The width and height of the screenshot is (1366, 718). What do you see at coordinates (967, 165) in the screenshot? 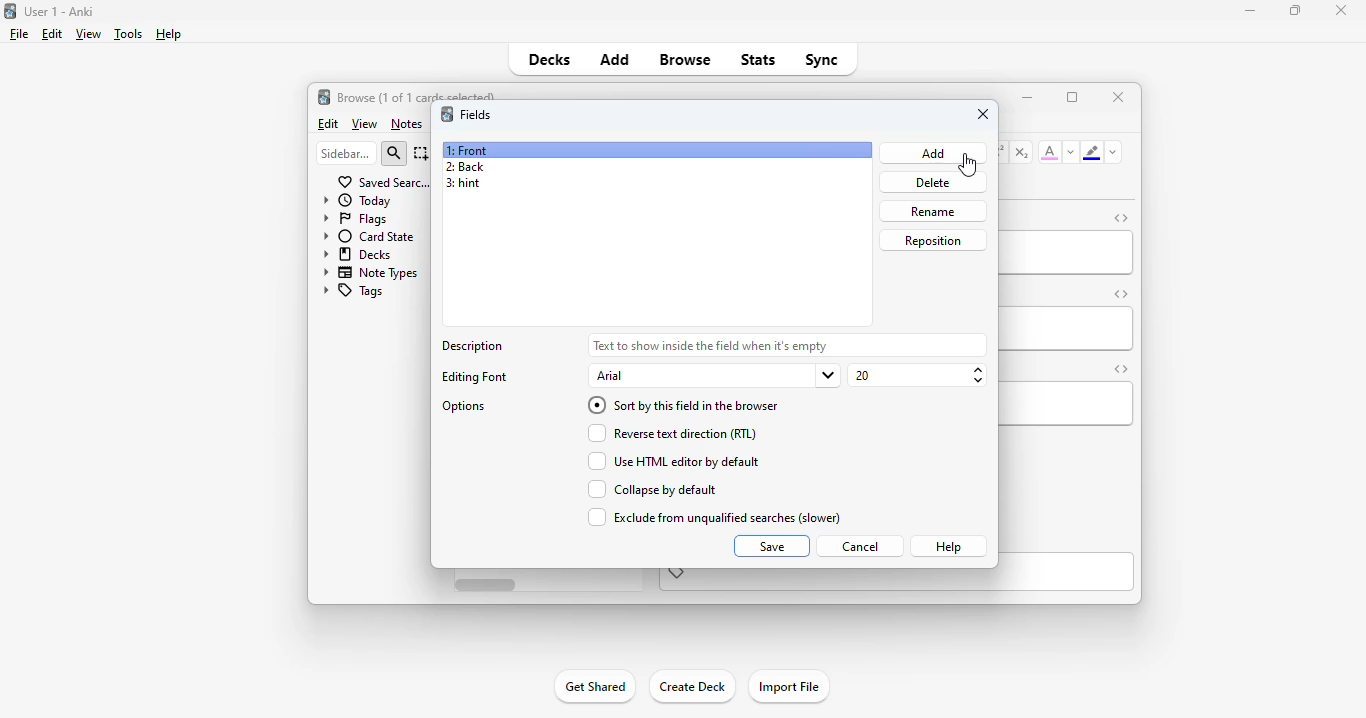
I see `cursor` at bounding box center [967, 165].